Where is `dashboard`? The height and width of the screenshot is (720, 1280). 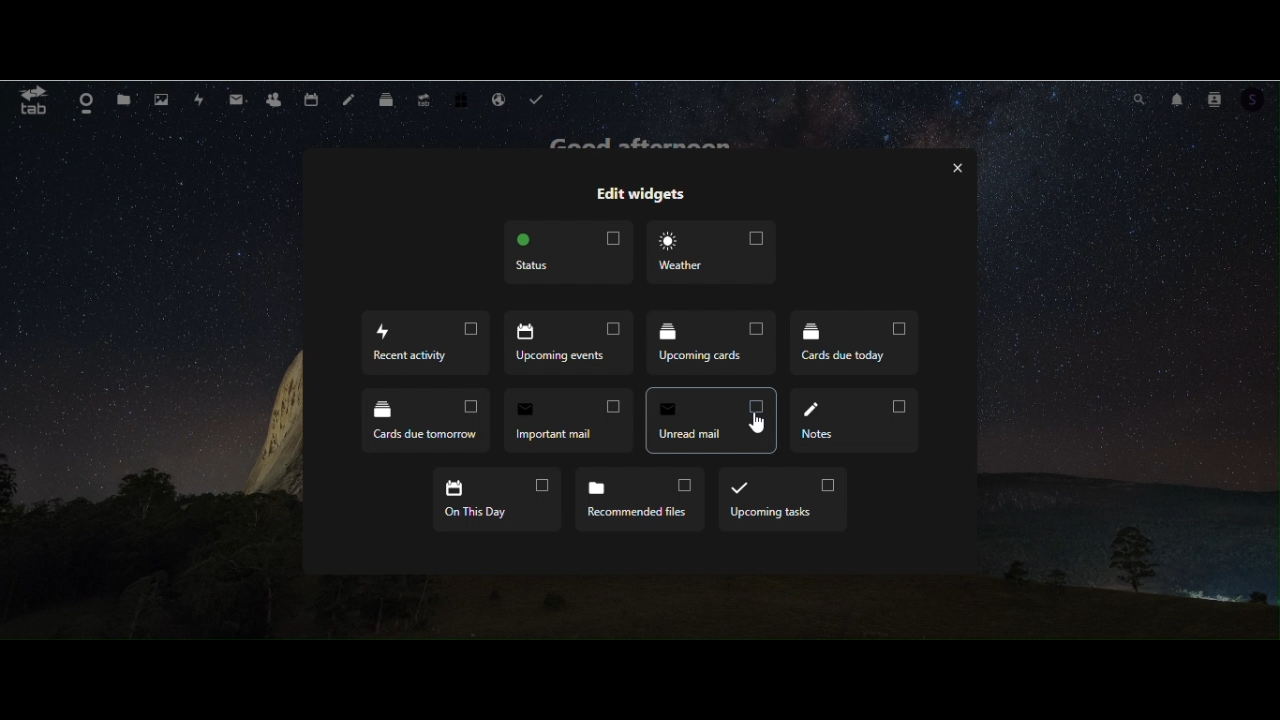
dashboard is located at coordinates (87, 101).